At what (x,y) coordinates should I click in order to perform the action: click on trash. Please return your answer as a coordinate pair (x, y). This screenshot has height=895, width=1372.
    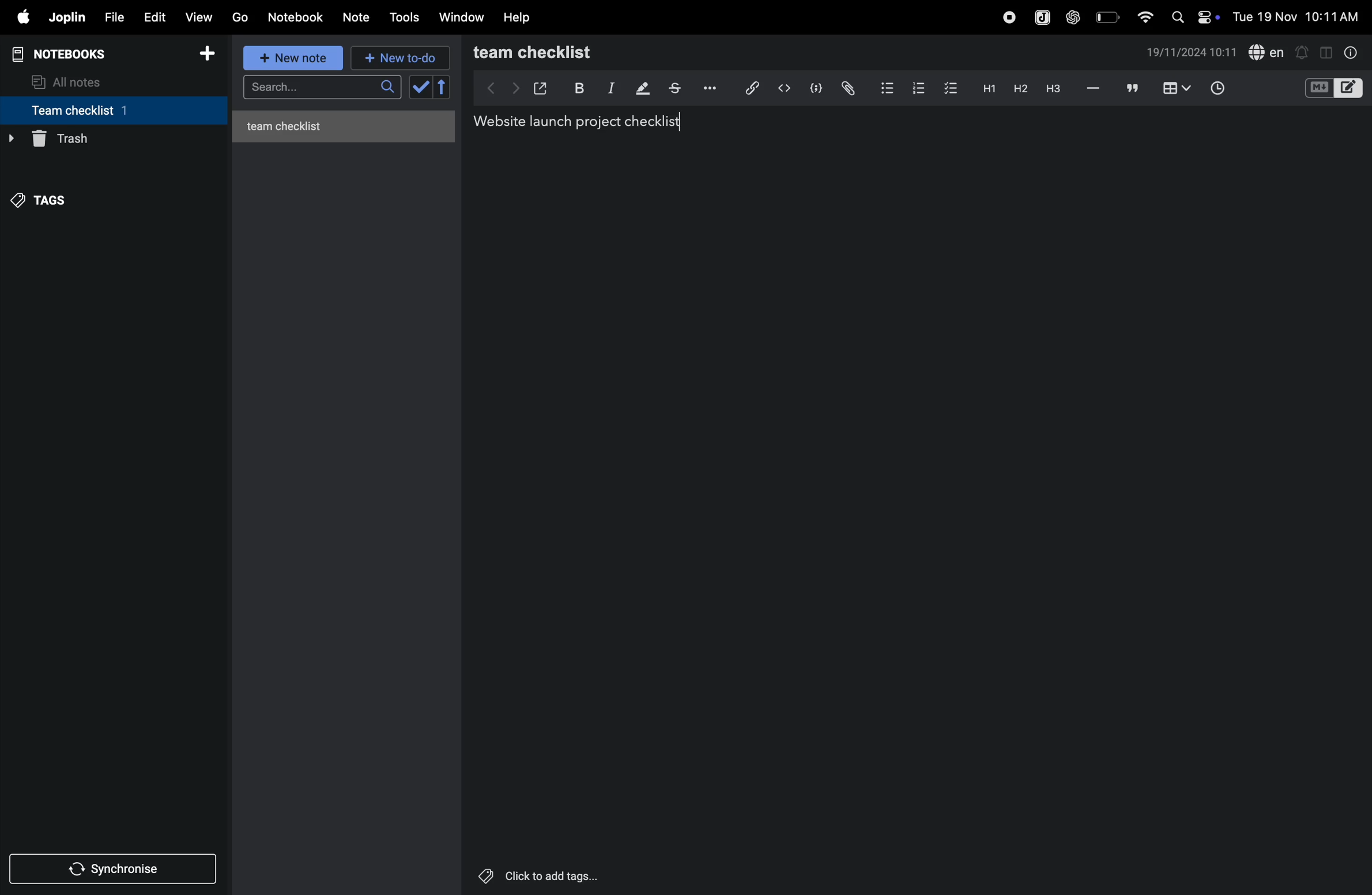
    Looking at the image, I should click on (109, 139).